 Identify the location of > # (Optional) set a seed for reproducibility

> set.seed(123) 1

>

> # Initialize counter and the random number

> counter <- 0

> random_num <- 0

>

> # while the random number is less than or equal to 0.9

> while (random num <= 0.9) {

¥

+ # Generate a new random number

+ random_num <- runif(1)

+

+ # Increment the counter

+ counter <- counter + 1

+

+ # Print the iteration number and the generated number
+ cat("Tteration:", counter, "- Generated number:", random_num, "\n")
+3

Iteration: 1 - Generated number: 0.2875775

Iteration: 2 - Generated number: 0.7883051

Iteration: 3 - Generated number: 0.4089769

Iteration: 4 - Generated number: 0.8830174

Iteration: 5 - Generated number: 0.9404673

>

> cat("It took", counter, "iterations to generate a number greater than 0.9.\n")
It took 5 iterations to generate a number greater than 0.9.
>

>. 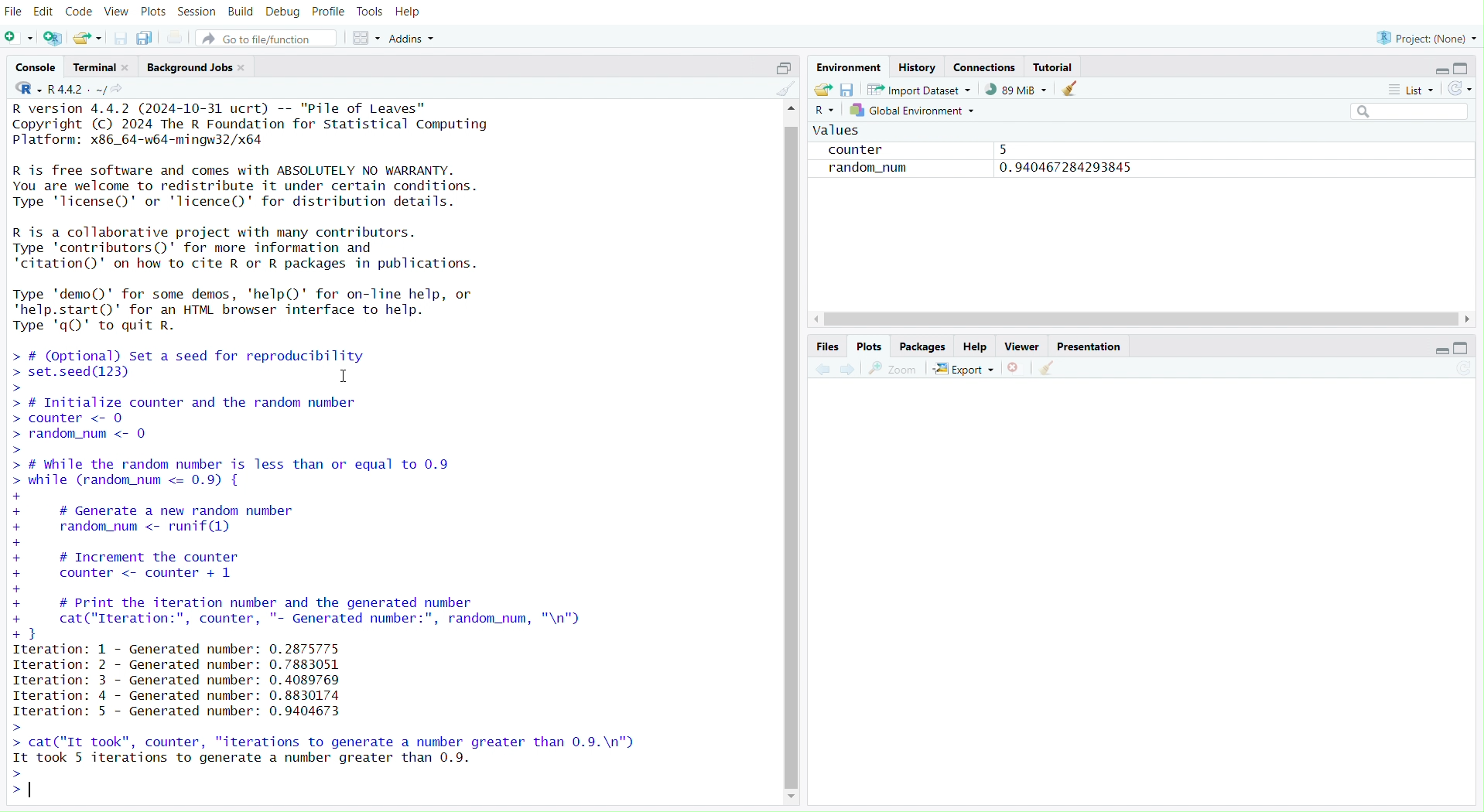
(340, 574).